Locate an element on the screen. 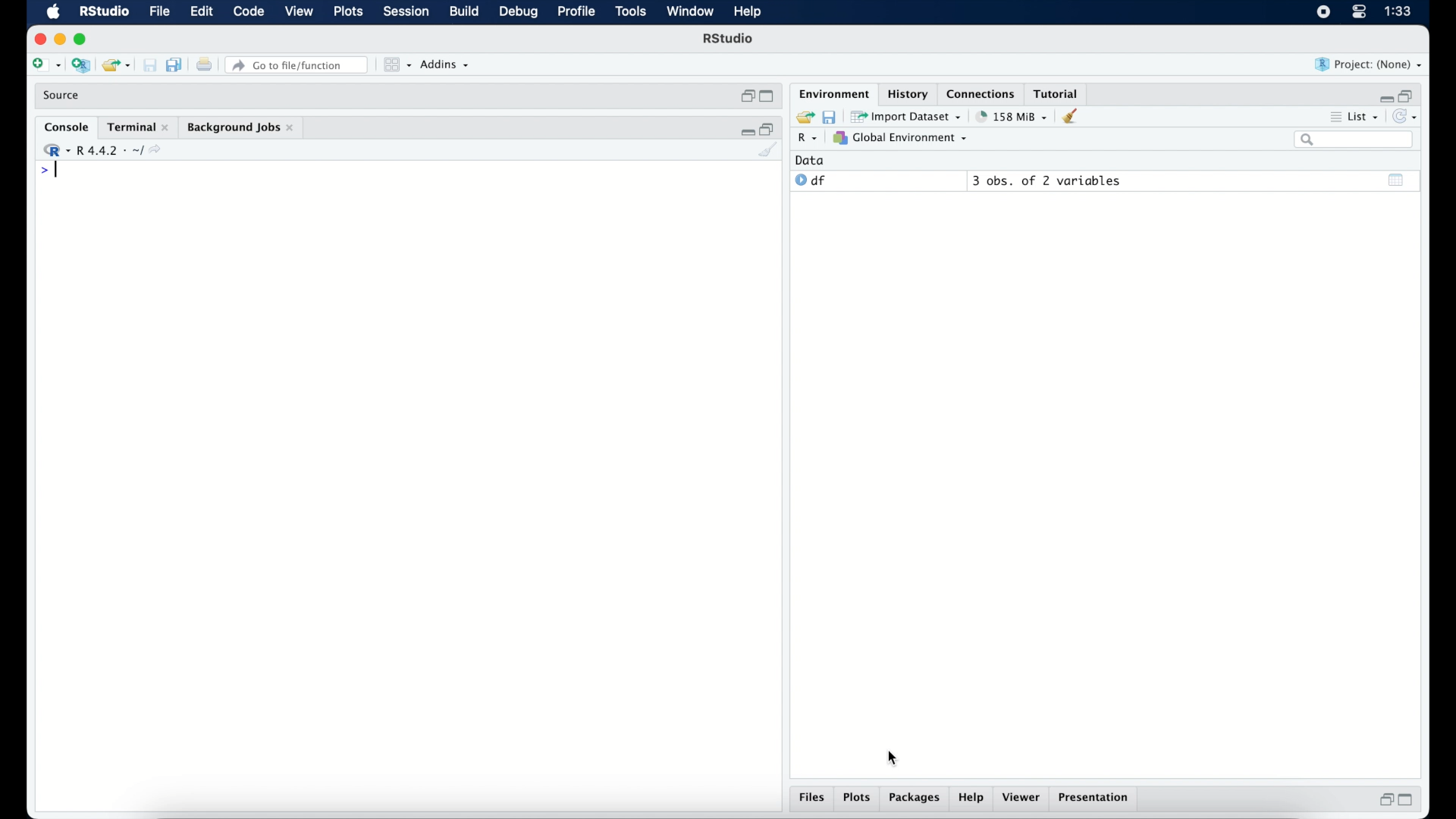 The height and width of the screenshot is (819, 1456). console is located at coordinates (64, 126).